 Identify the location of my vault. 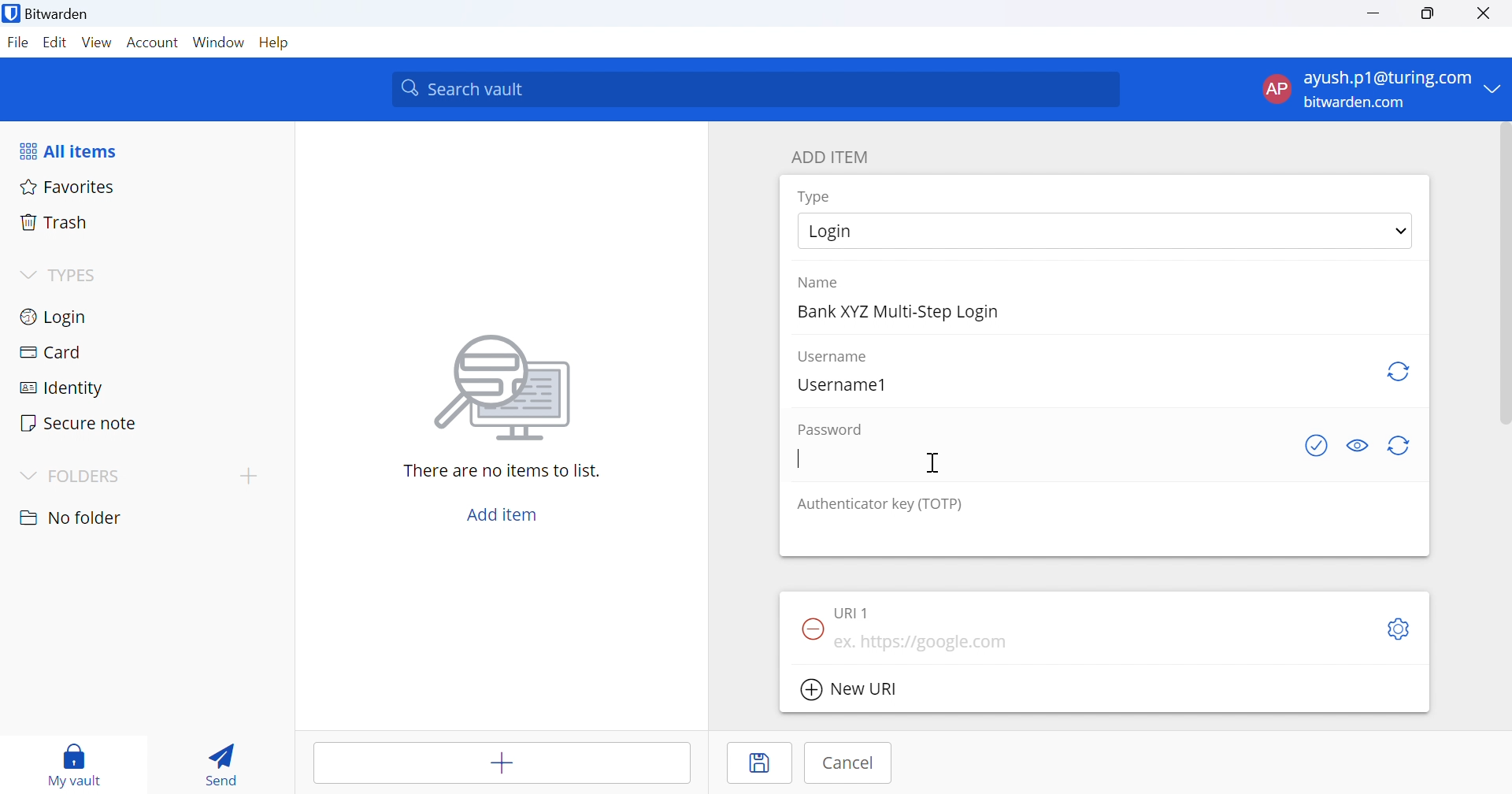
(79, 764).